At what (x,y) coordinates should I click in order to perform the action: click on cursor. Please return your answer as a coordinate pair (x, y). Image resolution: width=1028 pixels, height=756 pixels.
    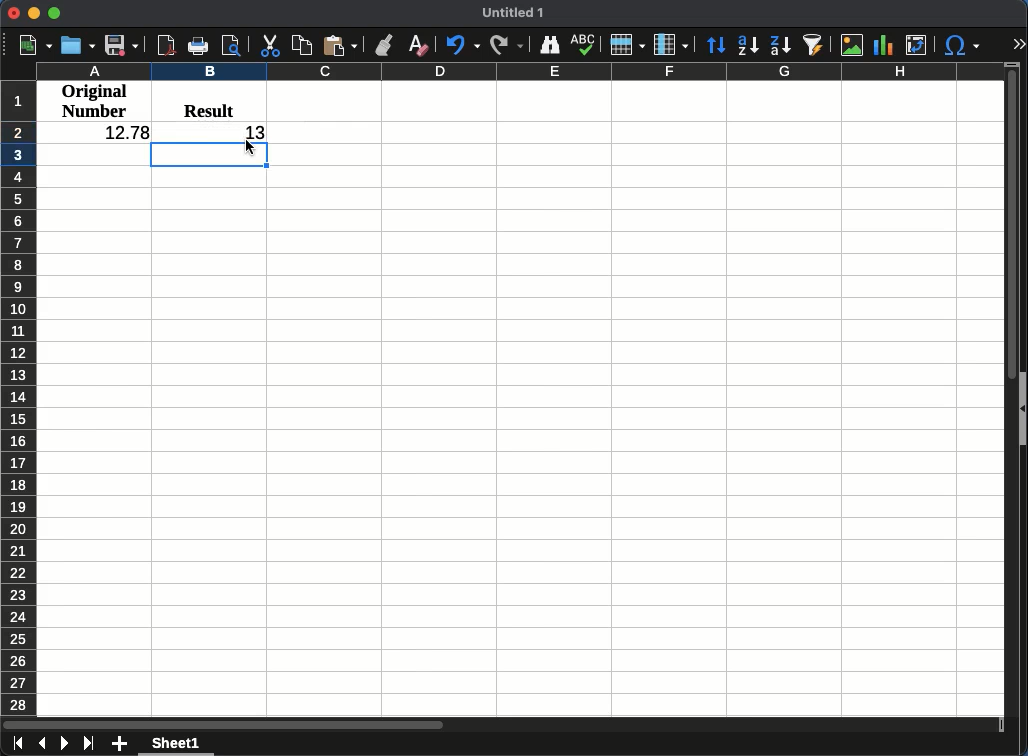
    Looking at the image, I should click on (251, 148).